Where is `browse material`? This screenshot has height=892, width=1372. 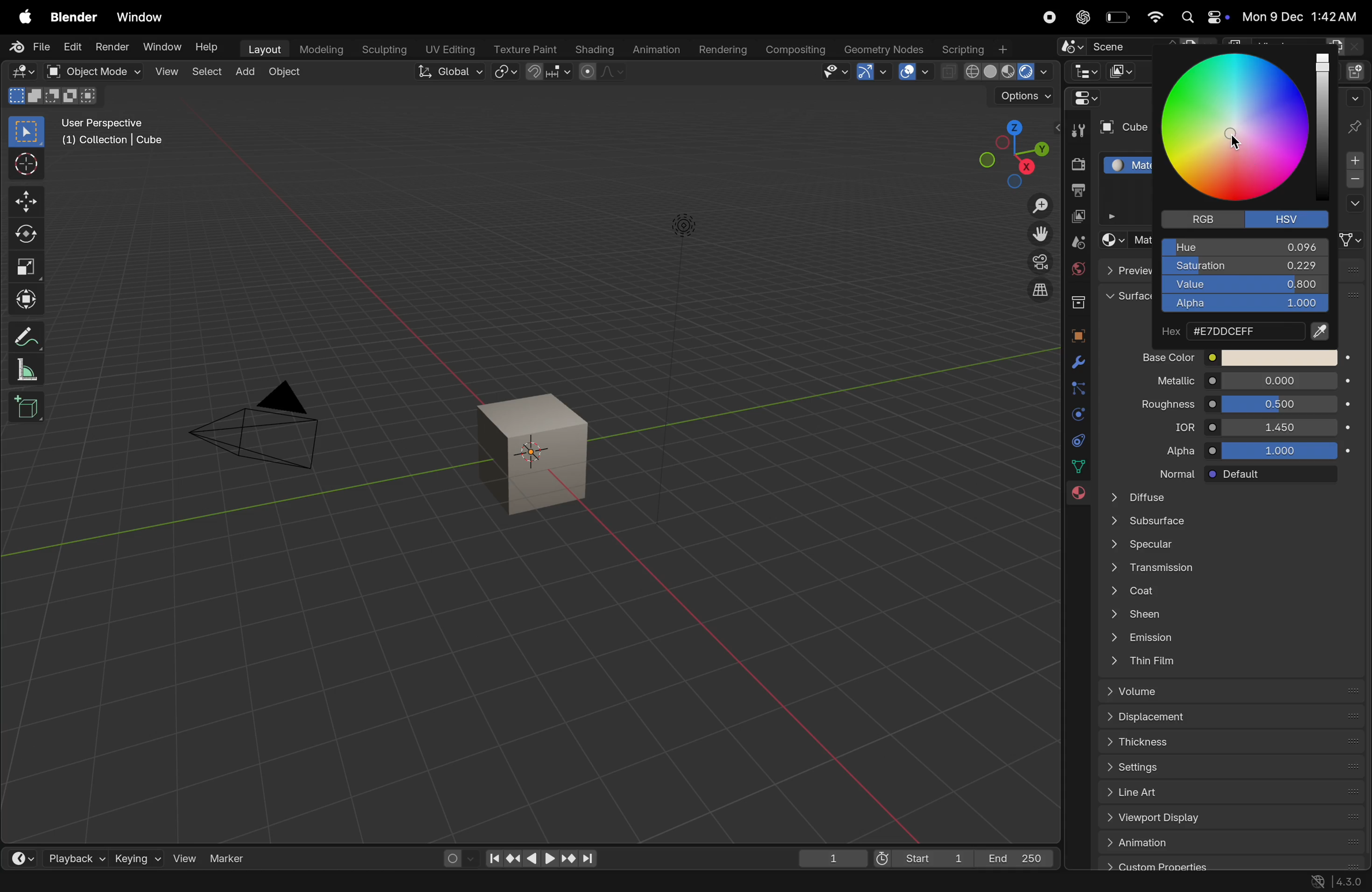 browse material is located at coordinates (1111, 240).